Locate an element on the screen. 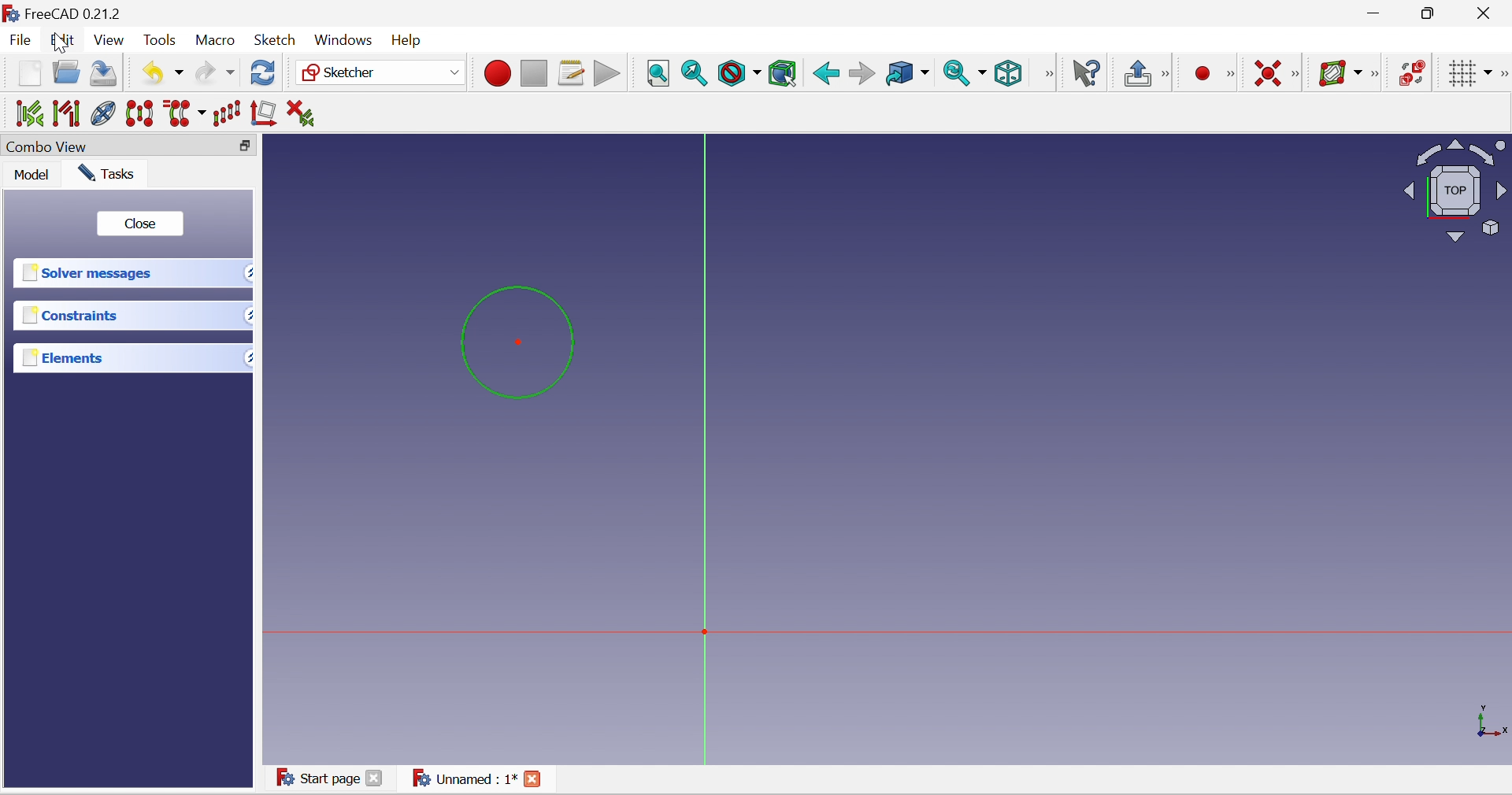  Leave sketch is located at coordinates (1138, 72).